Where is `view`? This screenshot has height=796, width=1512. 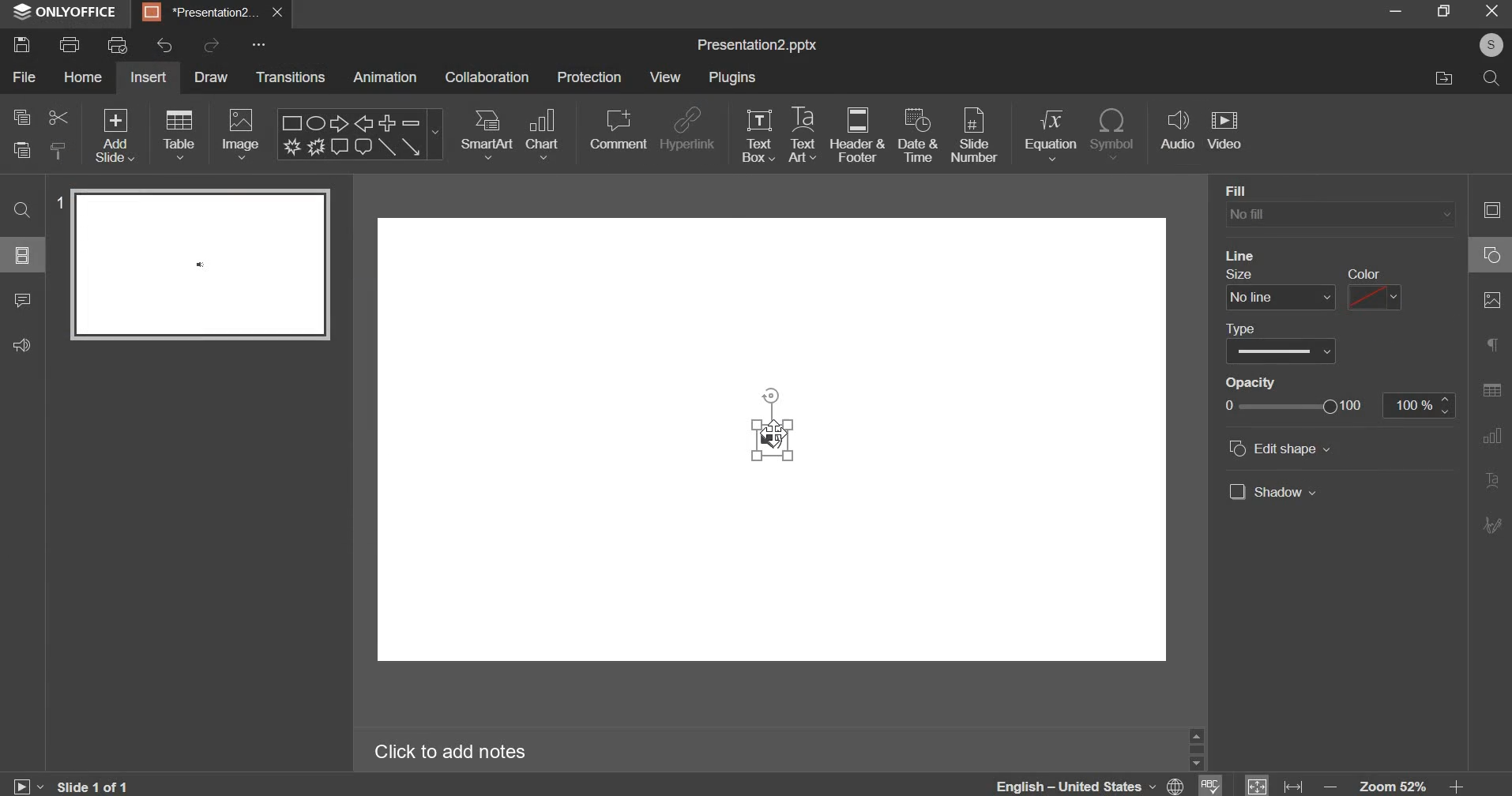
view is located at coordinates (665, 76).